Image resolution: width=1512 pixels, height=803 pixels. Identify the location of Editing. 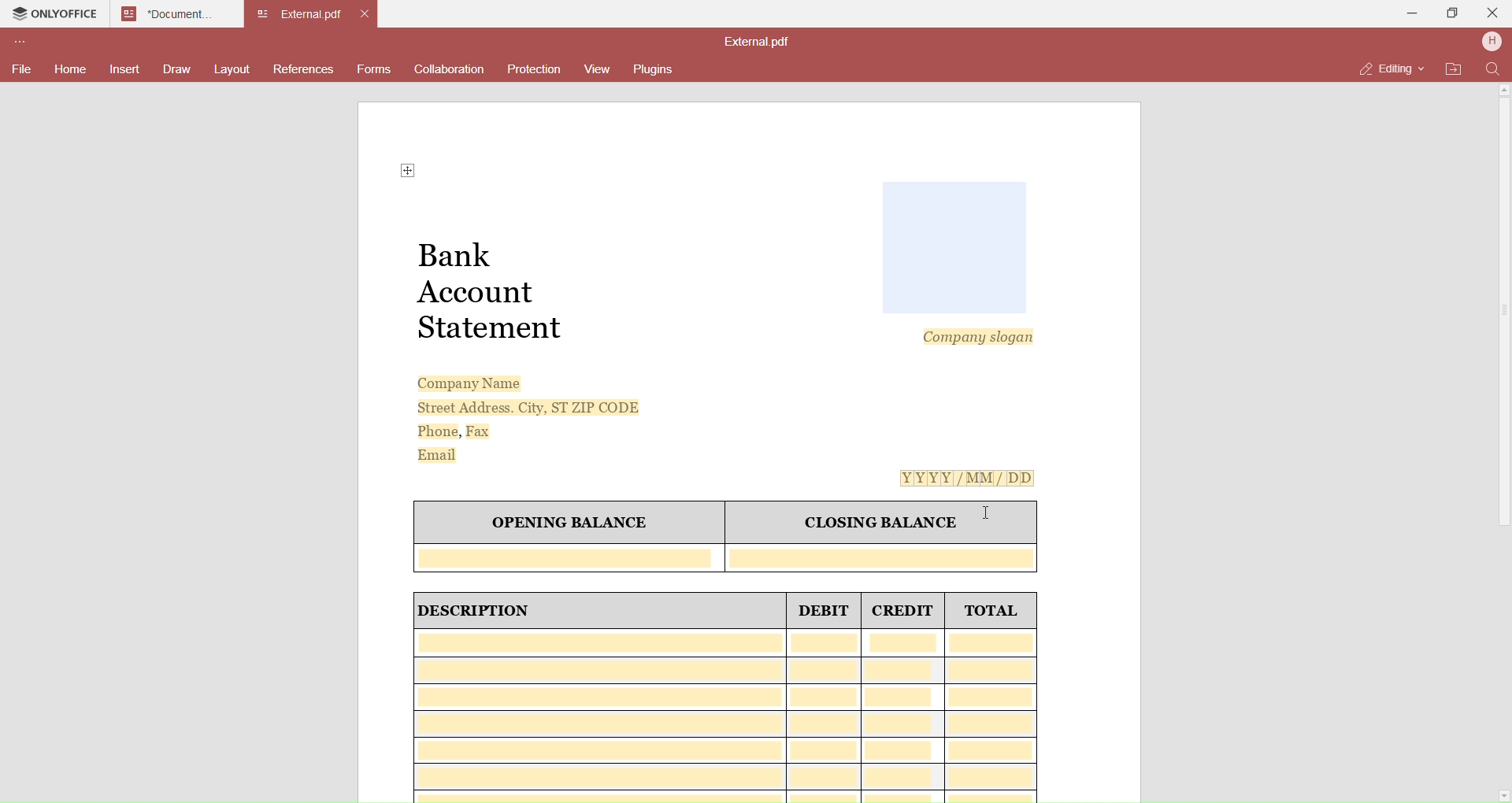
(1385, 68).